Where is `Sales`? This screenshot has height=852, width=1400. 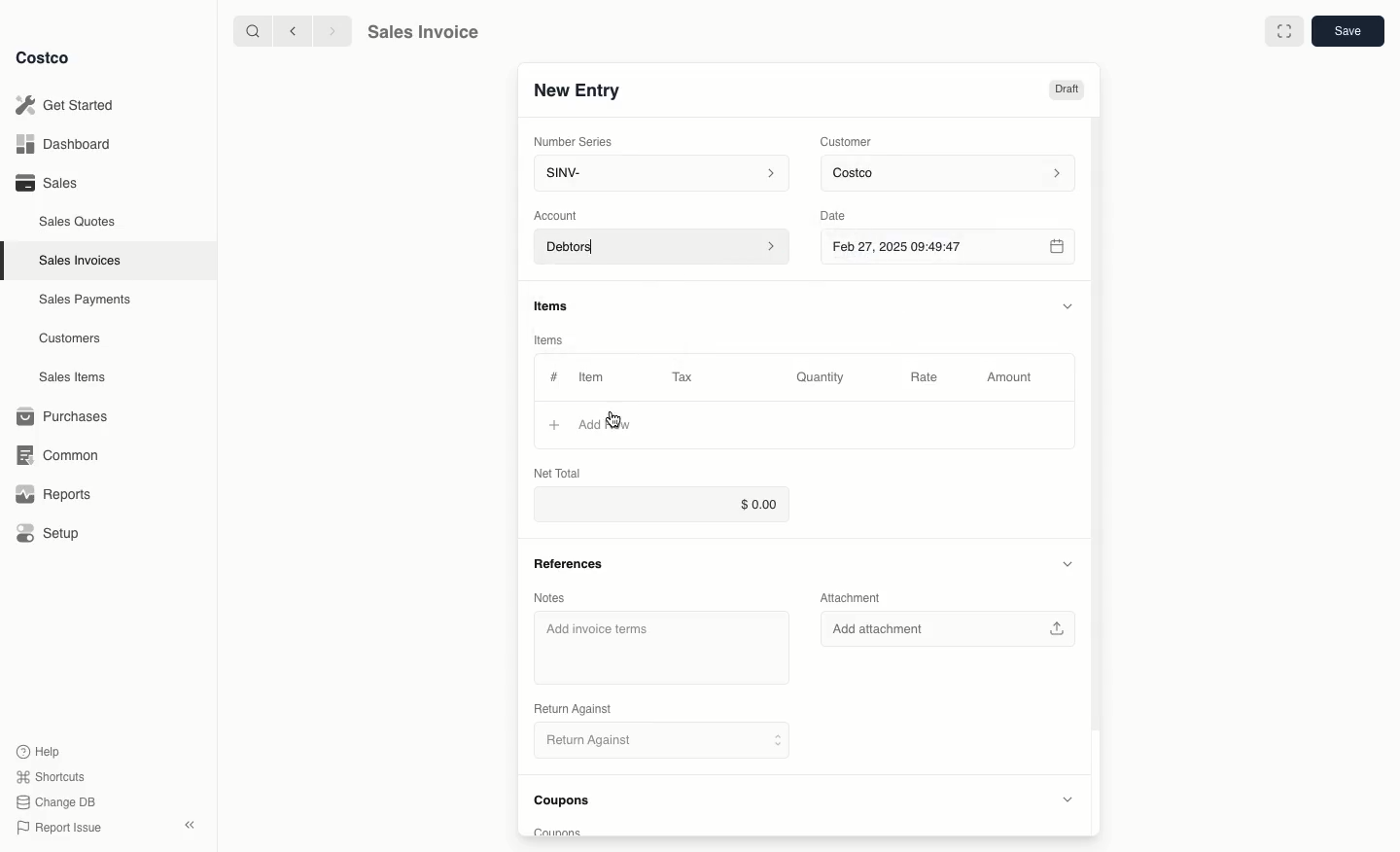
Sales is located at coordinates (45, 182).